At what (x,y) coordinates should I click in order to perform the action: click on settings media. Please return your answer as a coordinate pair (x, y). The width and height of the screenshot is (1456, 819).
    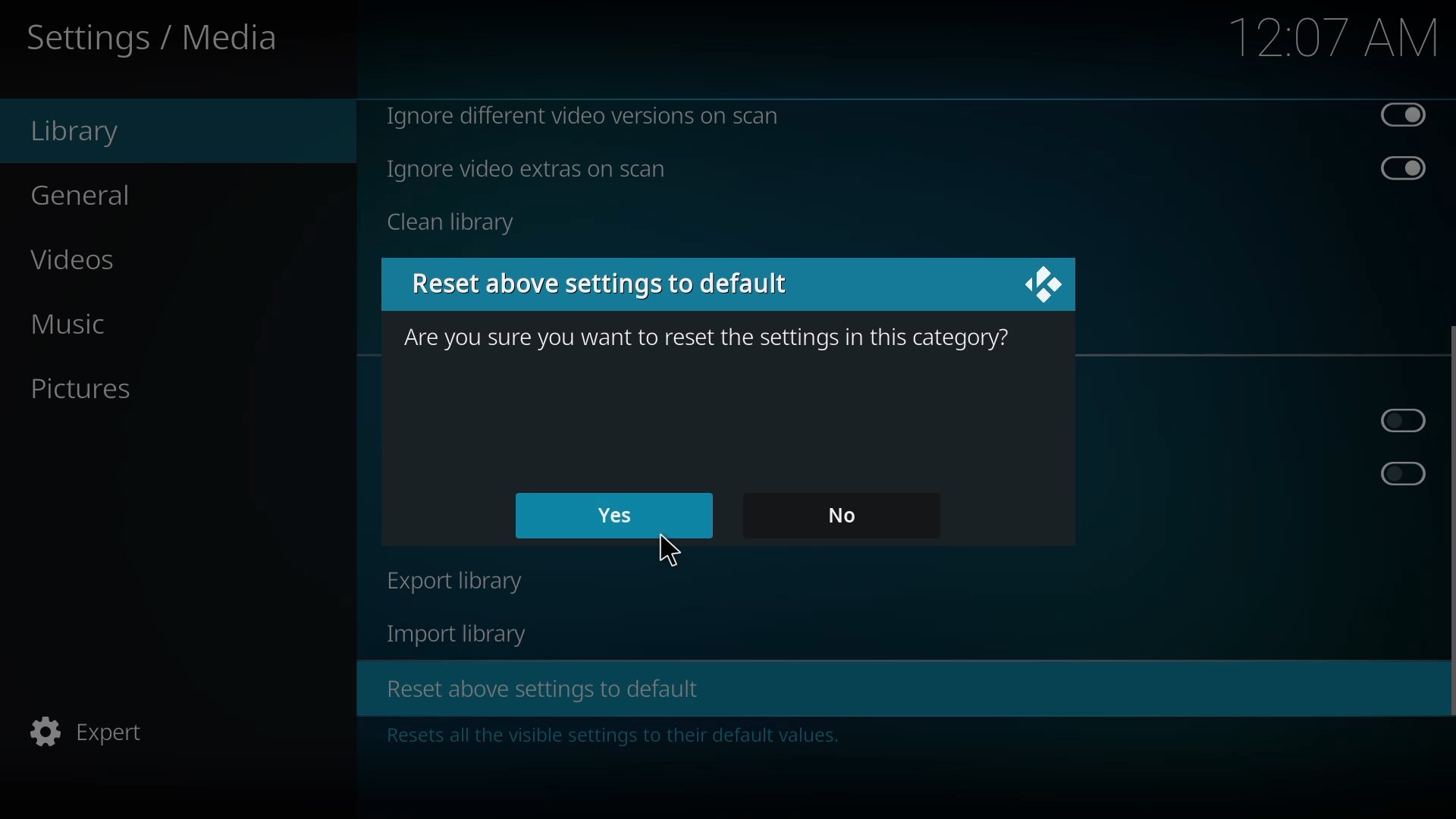
    Looking at the image, I should click on (155, 39).